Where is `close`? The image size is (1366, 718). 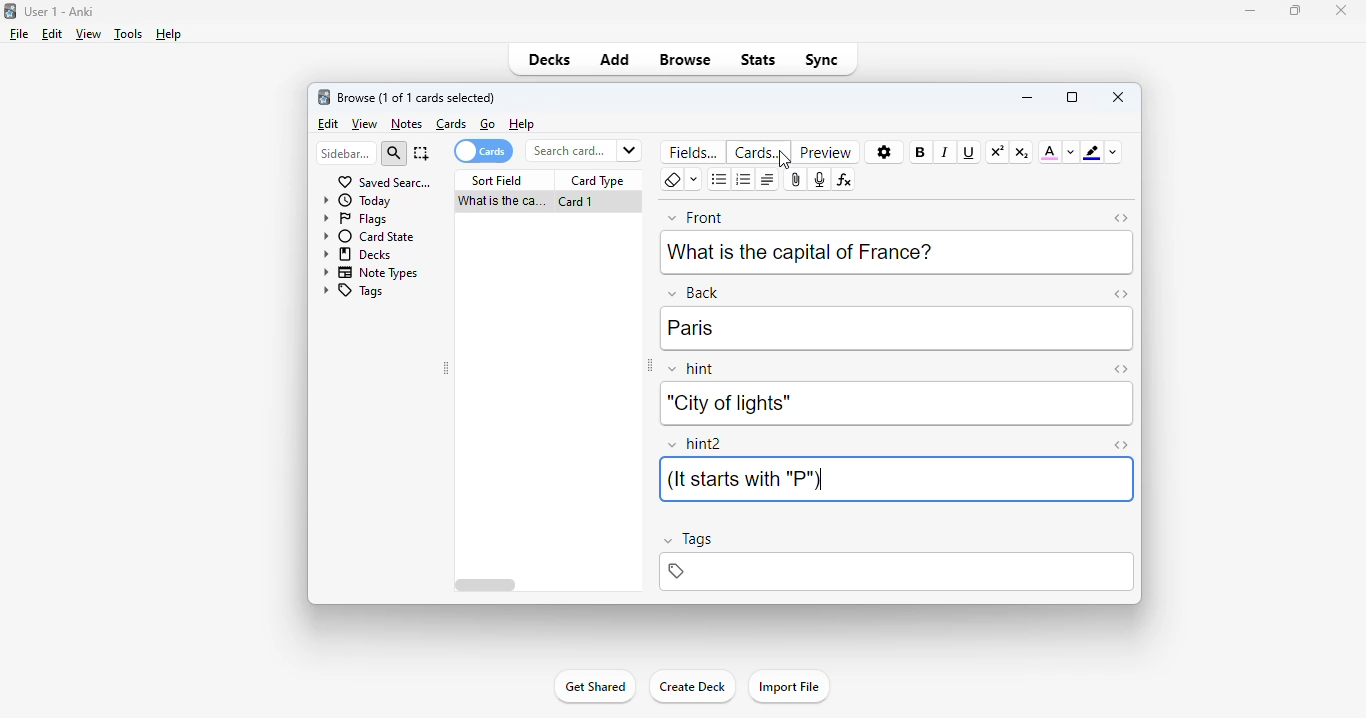 close is located at coordinates (1119, 96).